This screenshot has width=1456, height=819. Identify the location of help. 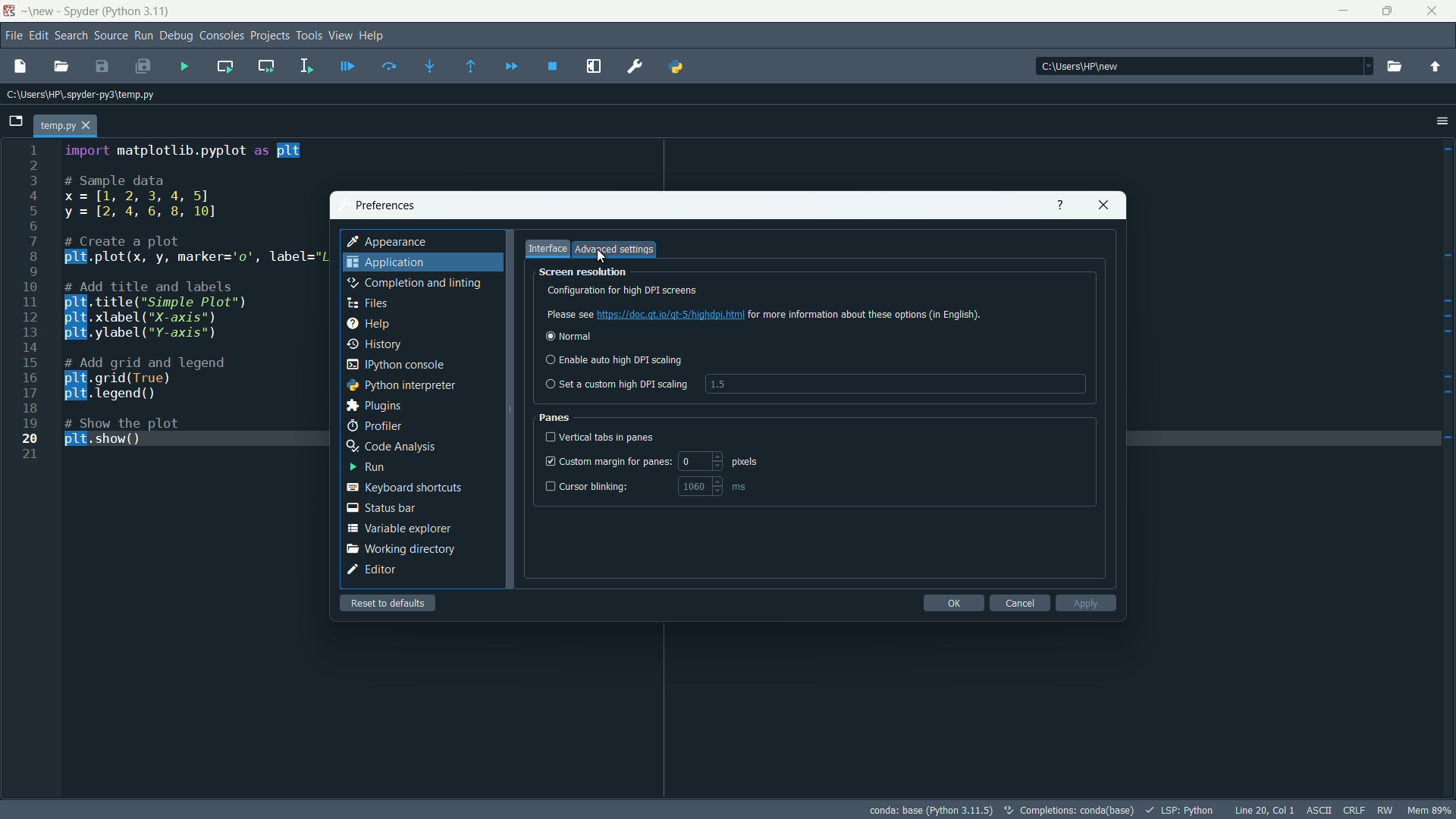
(375, 36).